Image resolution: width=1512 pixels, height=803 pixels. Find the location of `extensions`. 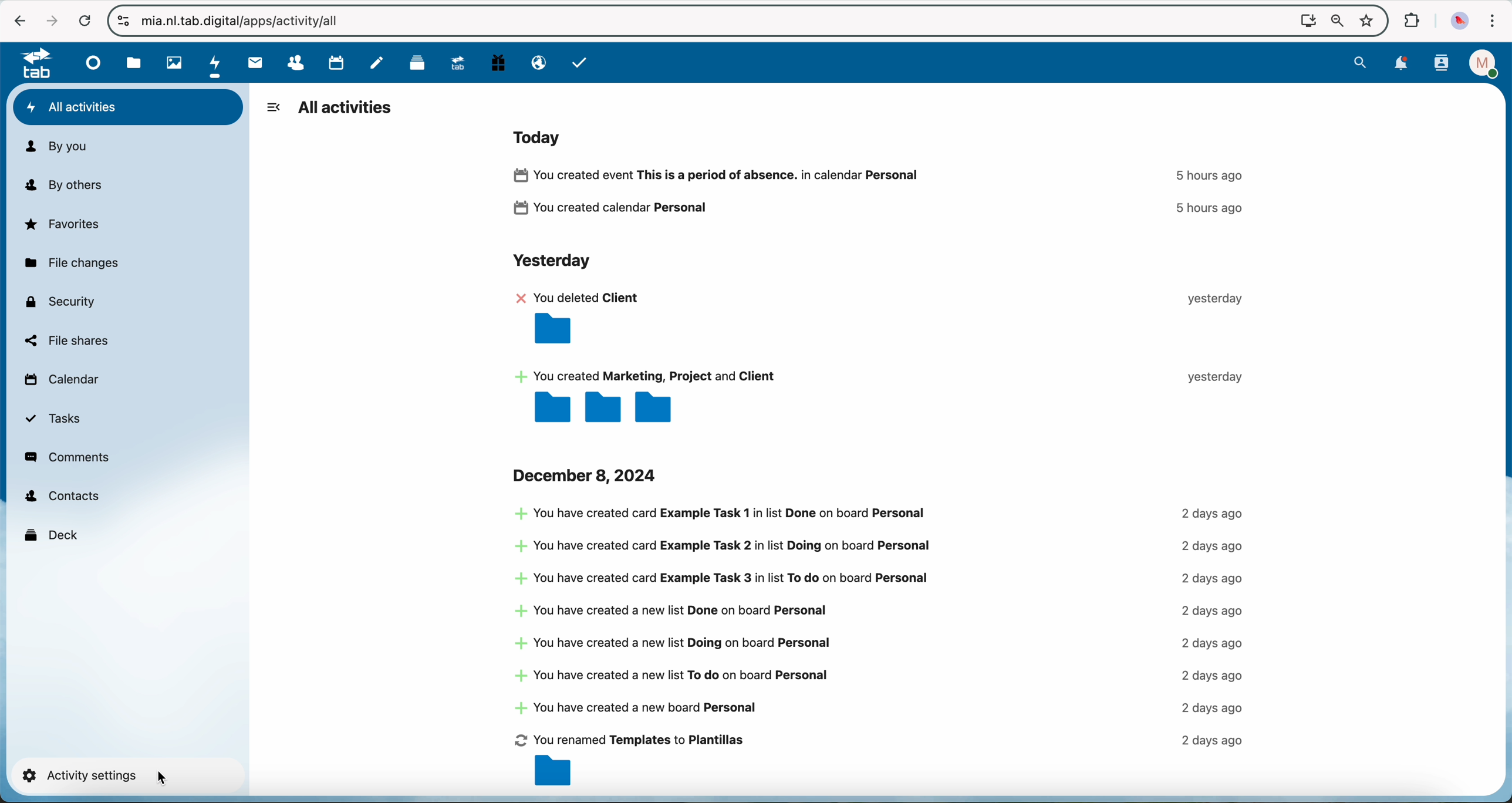

extensions is located at coordinates (1409, 19).